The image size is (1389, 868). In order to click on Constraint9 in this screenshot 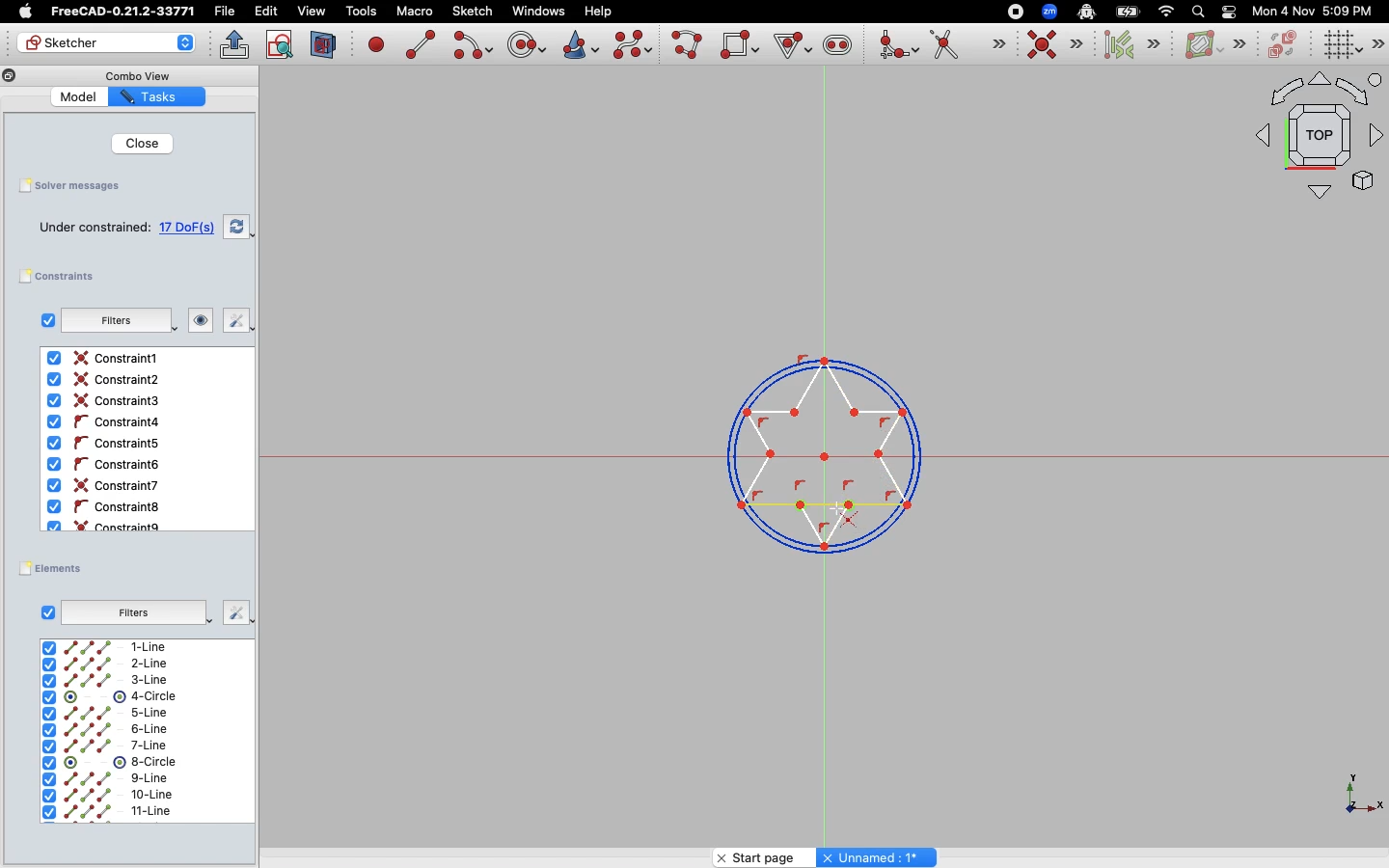, I will do `click(109, 525)`.